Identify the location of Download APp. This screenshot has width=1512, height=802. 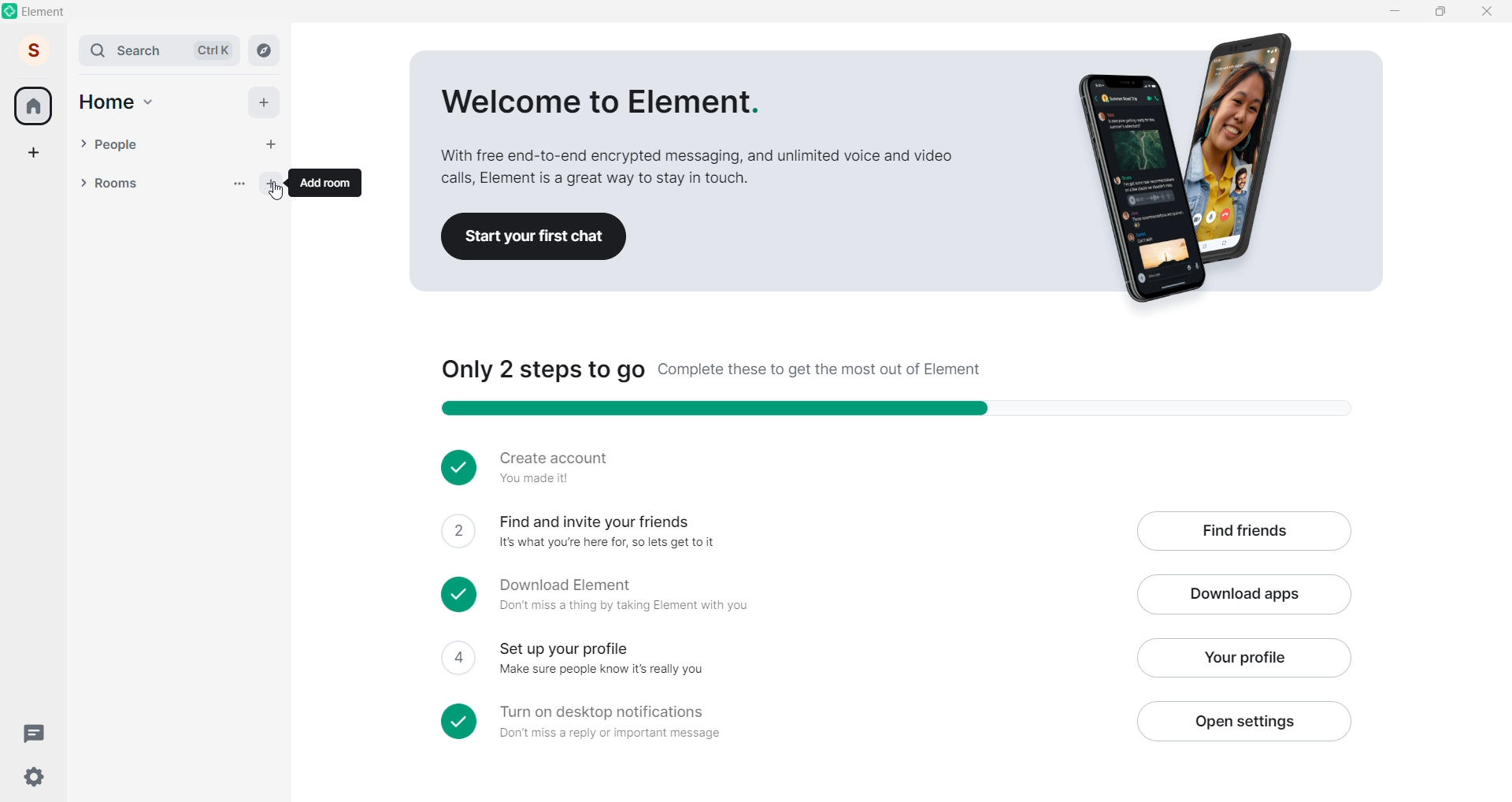
(1244, 596).